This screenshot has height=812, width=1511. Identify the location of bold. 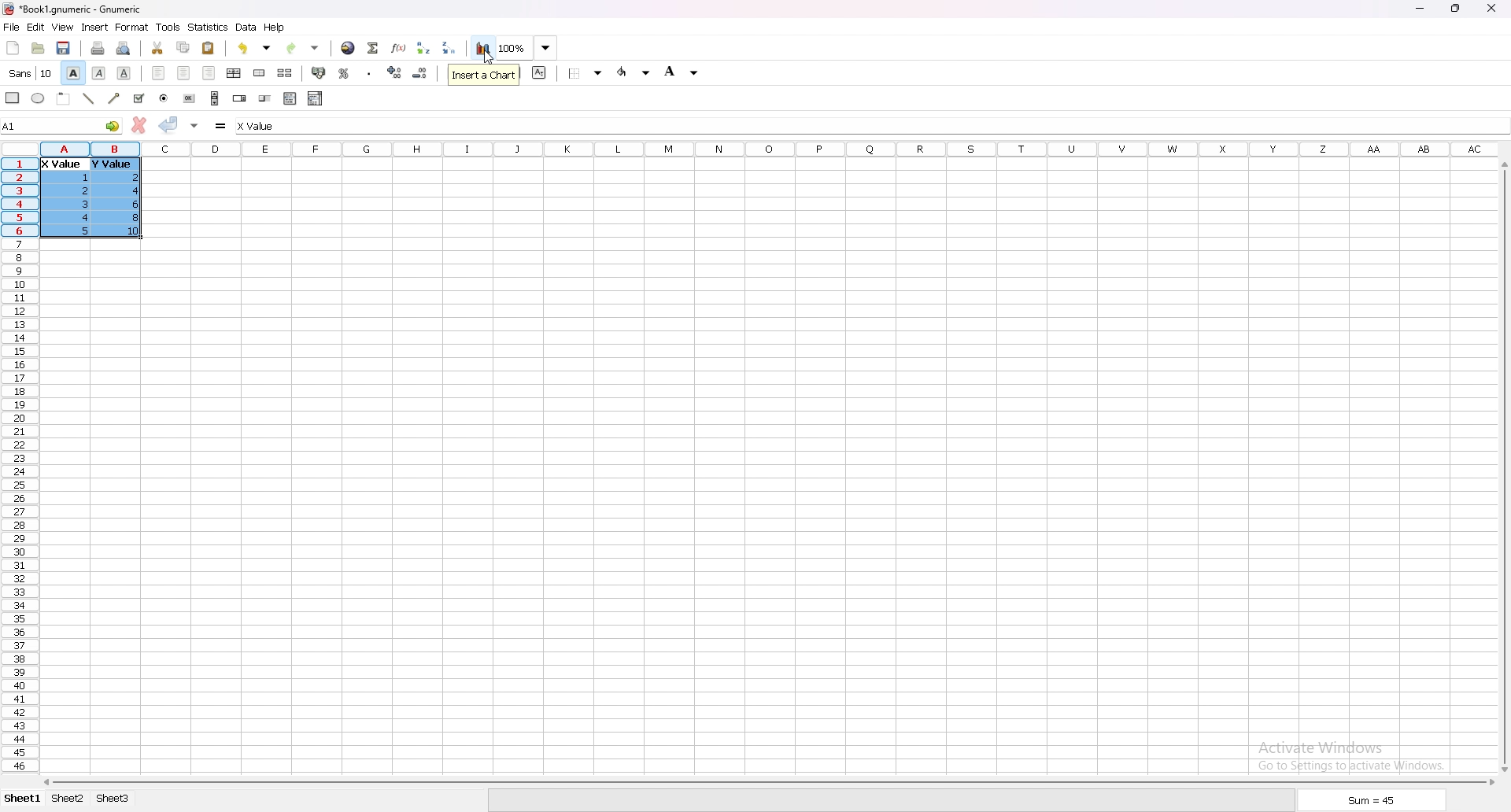
(72, 73).